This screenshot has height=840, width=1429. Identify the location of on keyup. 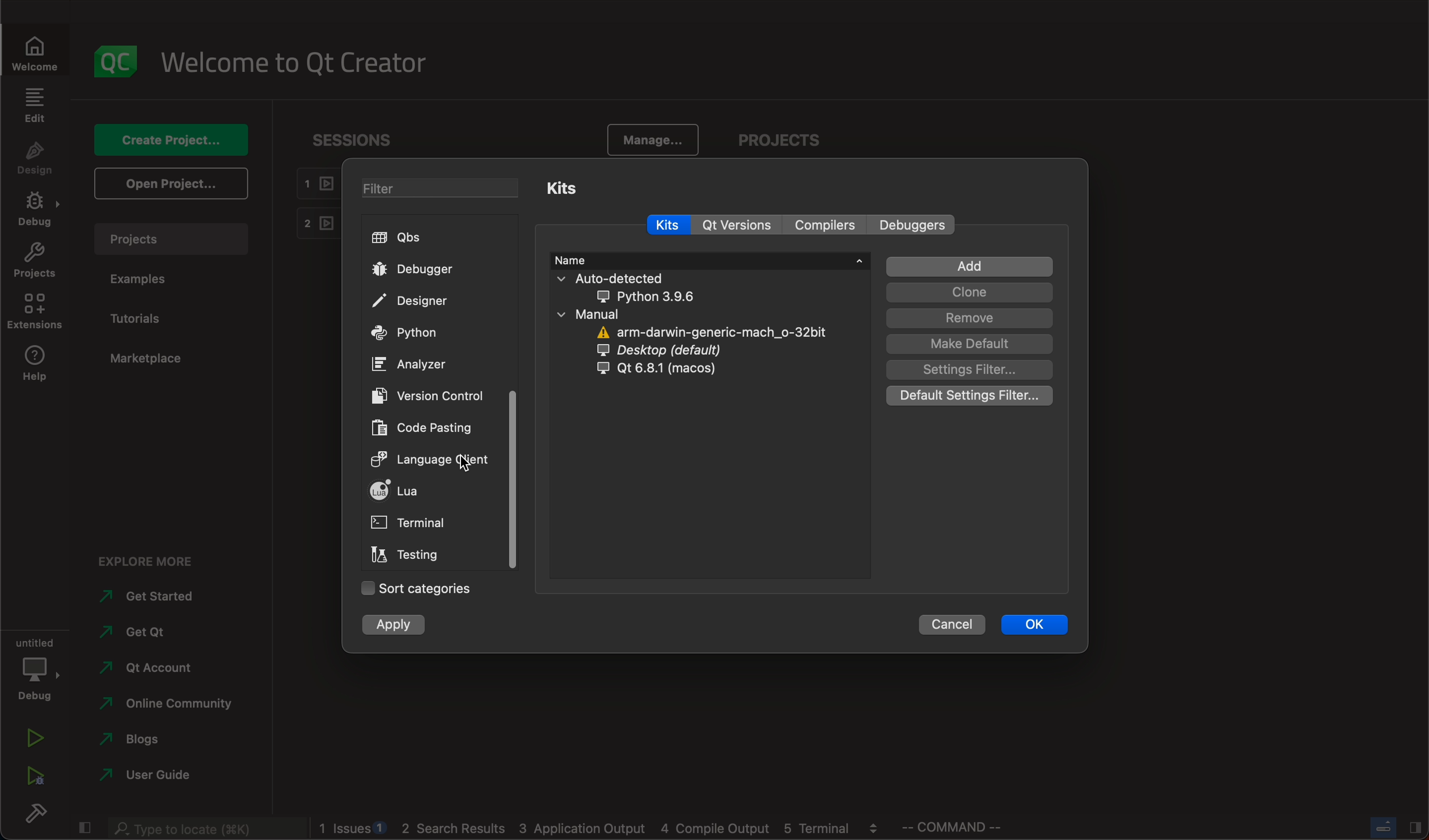
(467, 459).